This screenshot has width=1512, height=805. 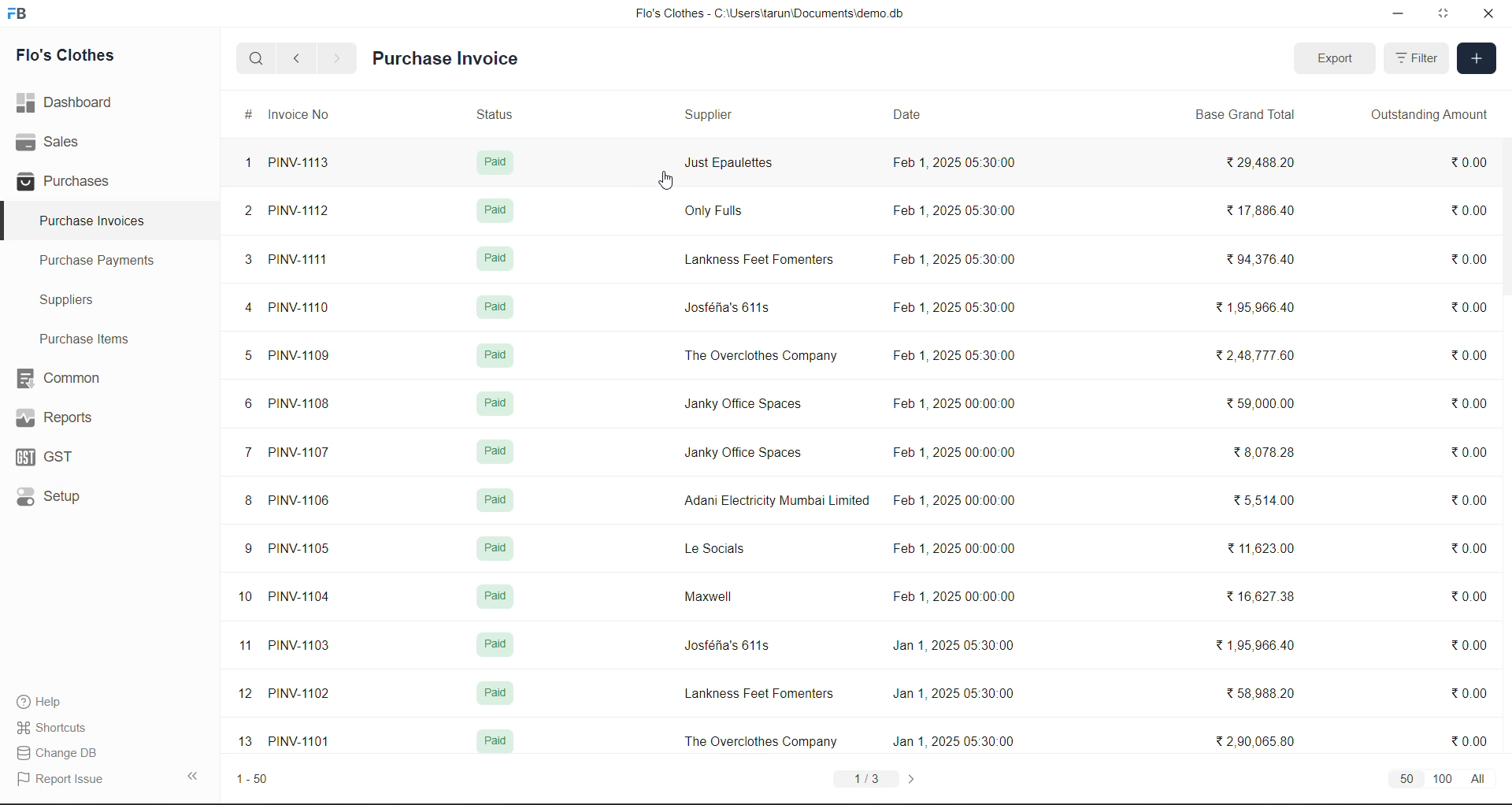 I want to click on ₹0.00, so click(x=1470, y=256).